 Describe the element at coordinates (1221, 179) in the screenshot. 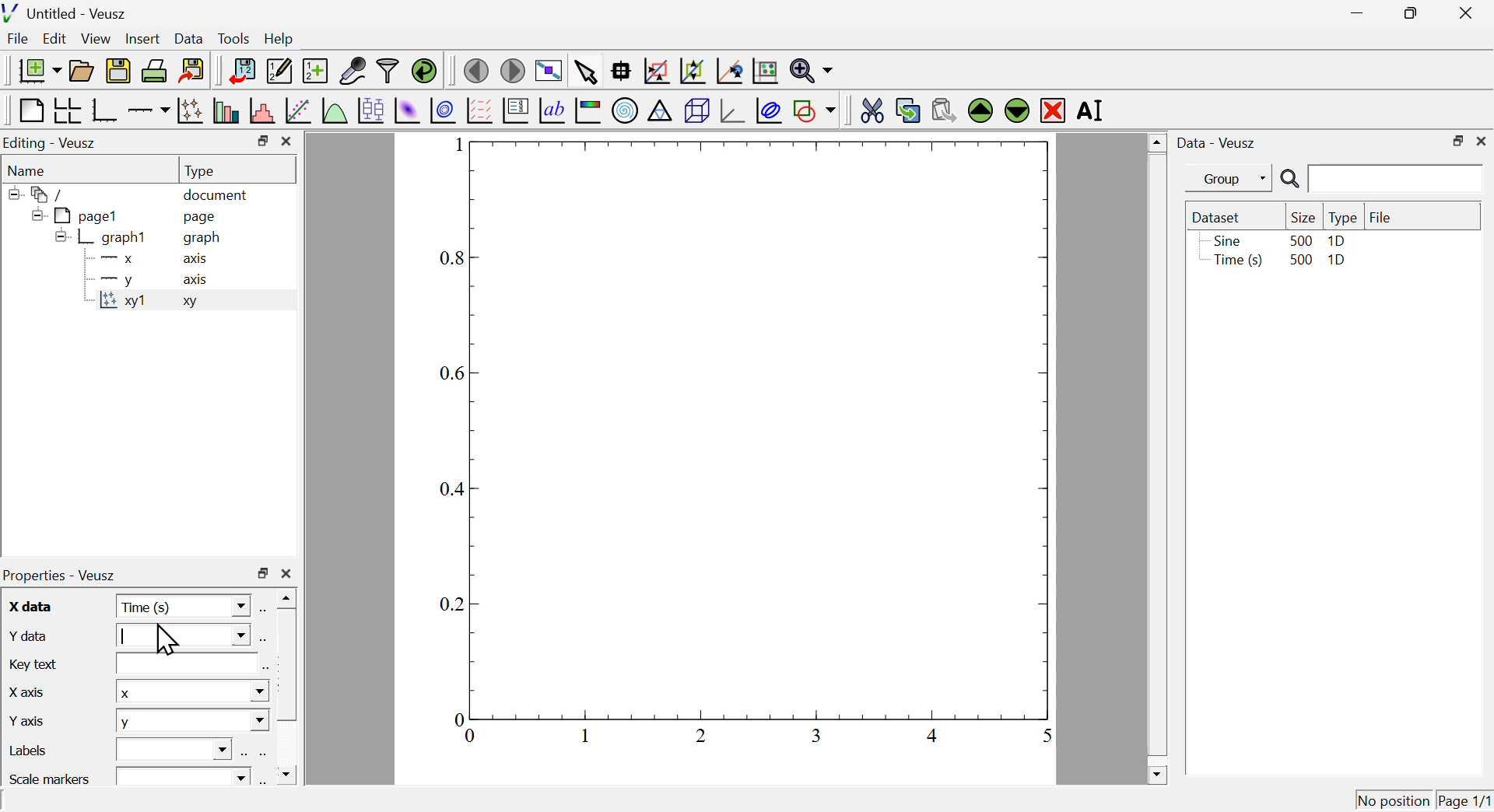

I see `group` at that location.